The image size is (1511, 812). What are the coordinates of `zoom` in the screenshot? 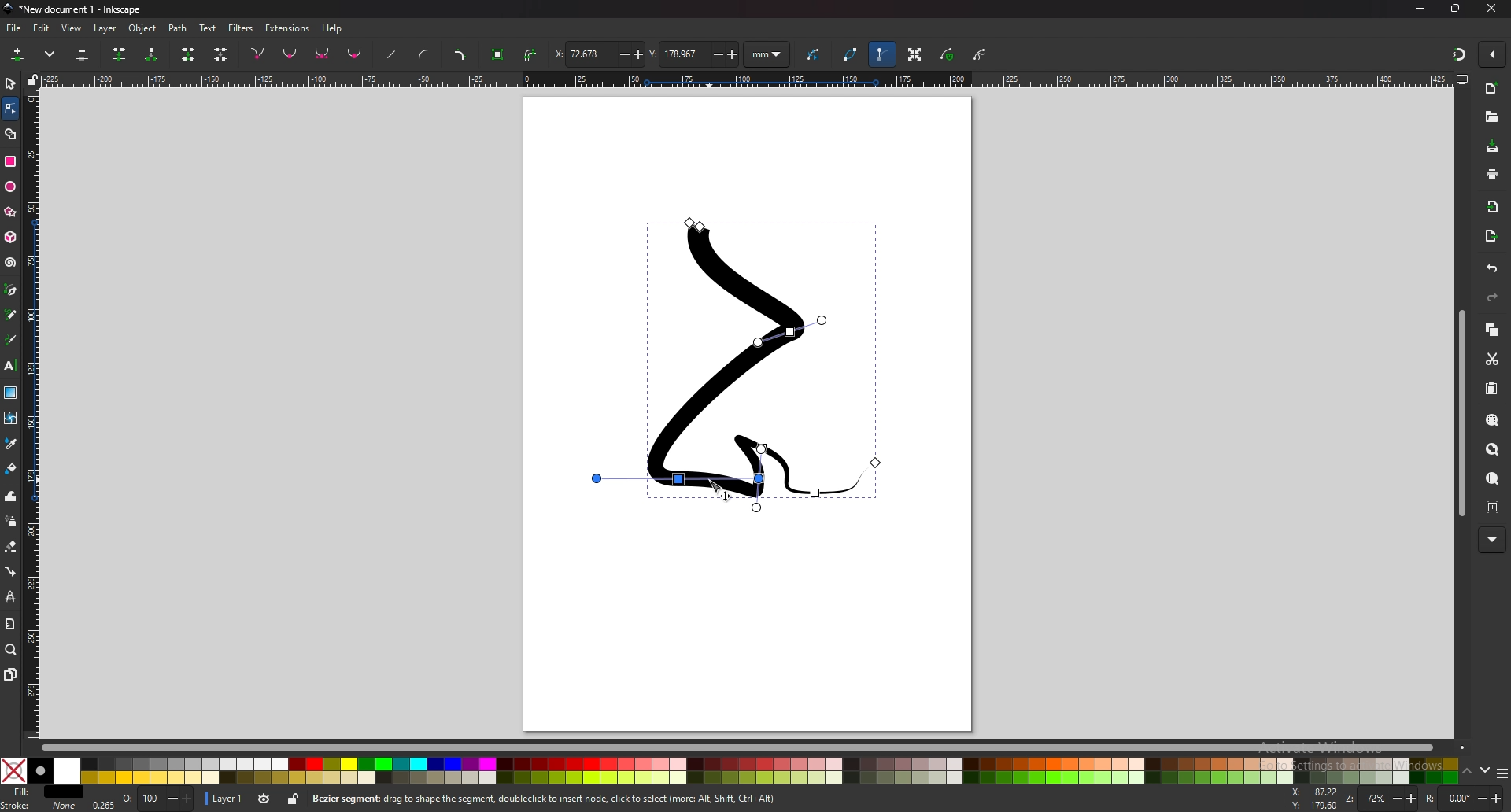 It's located at (12, 651).